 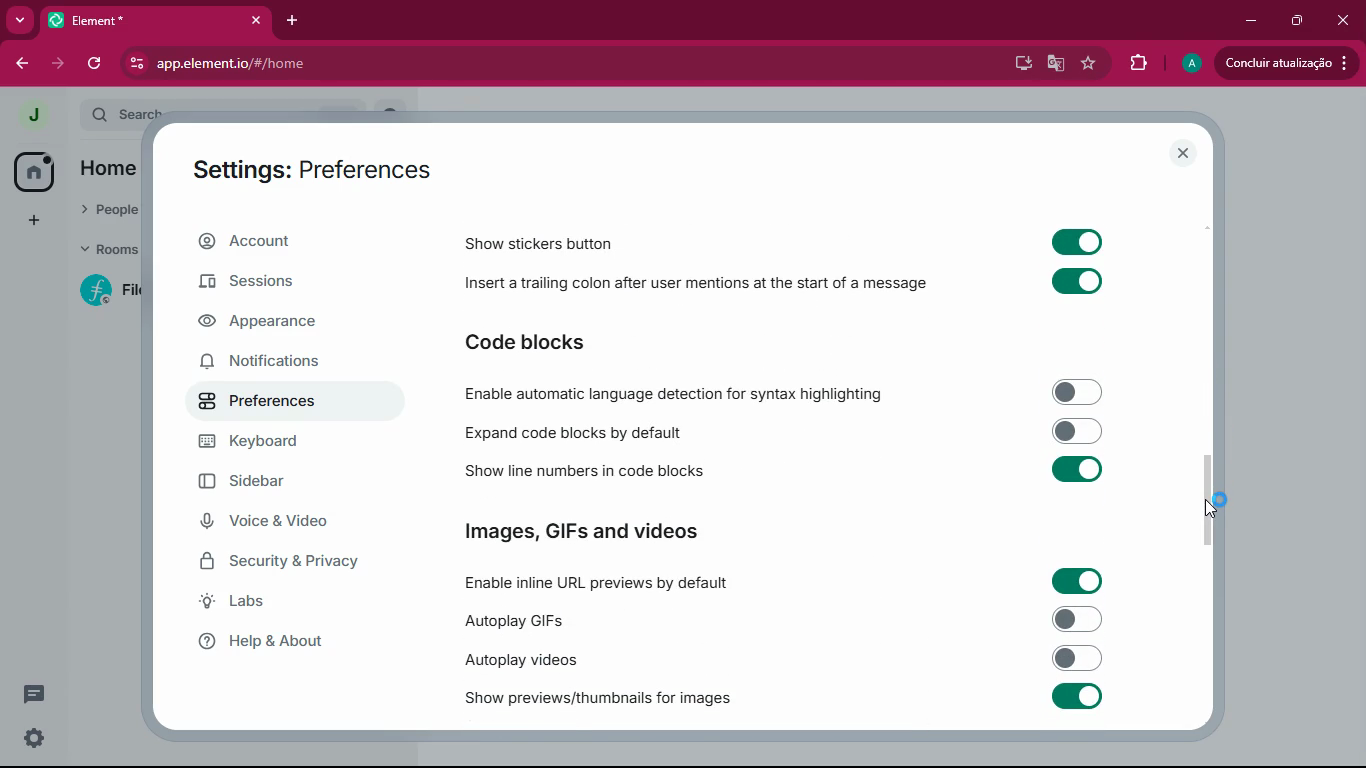 I want to click on refresh, so click(x=92, y=64).